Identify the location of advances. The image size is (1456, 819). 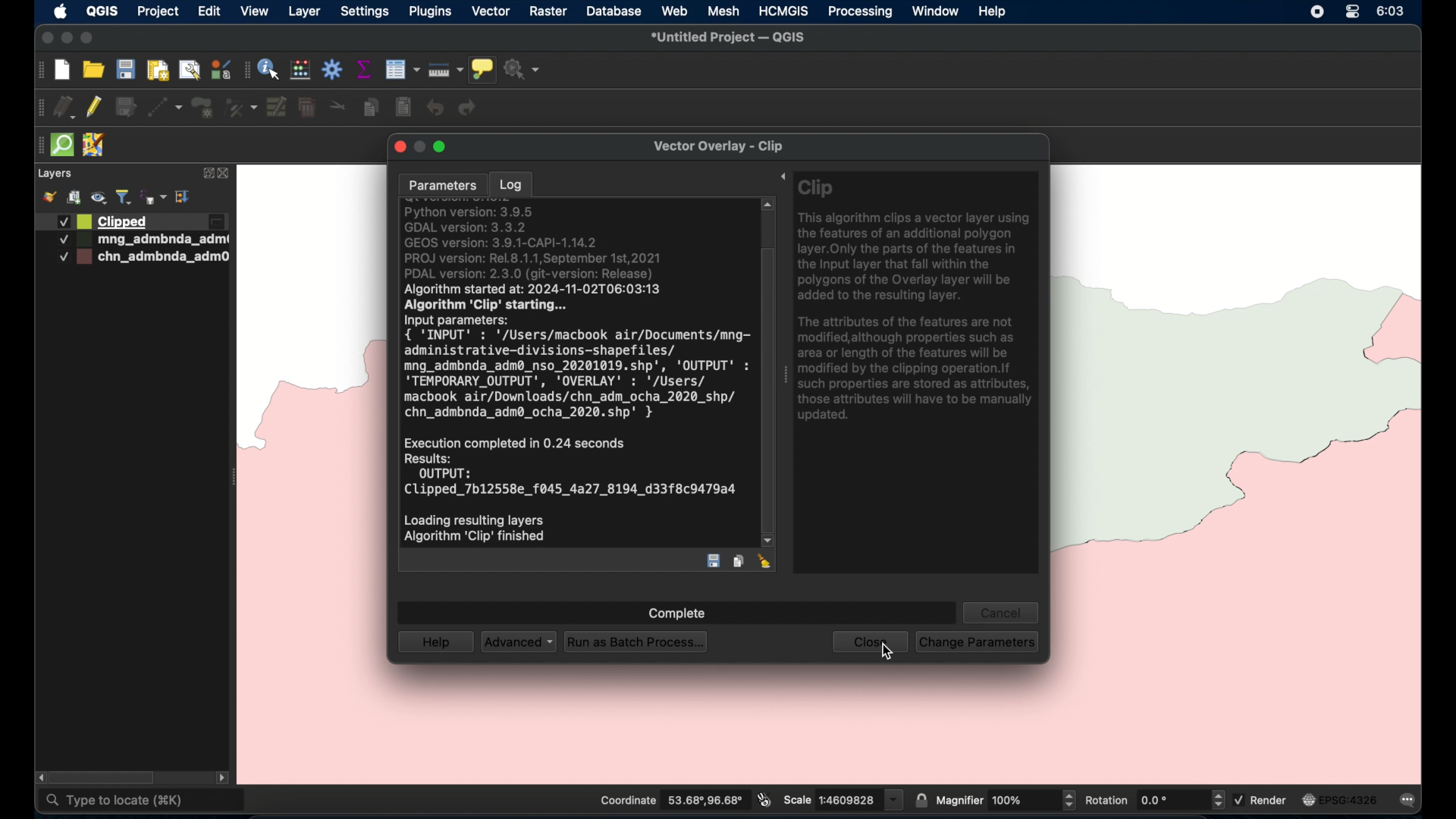
(518, 641).